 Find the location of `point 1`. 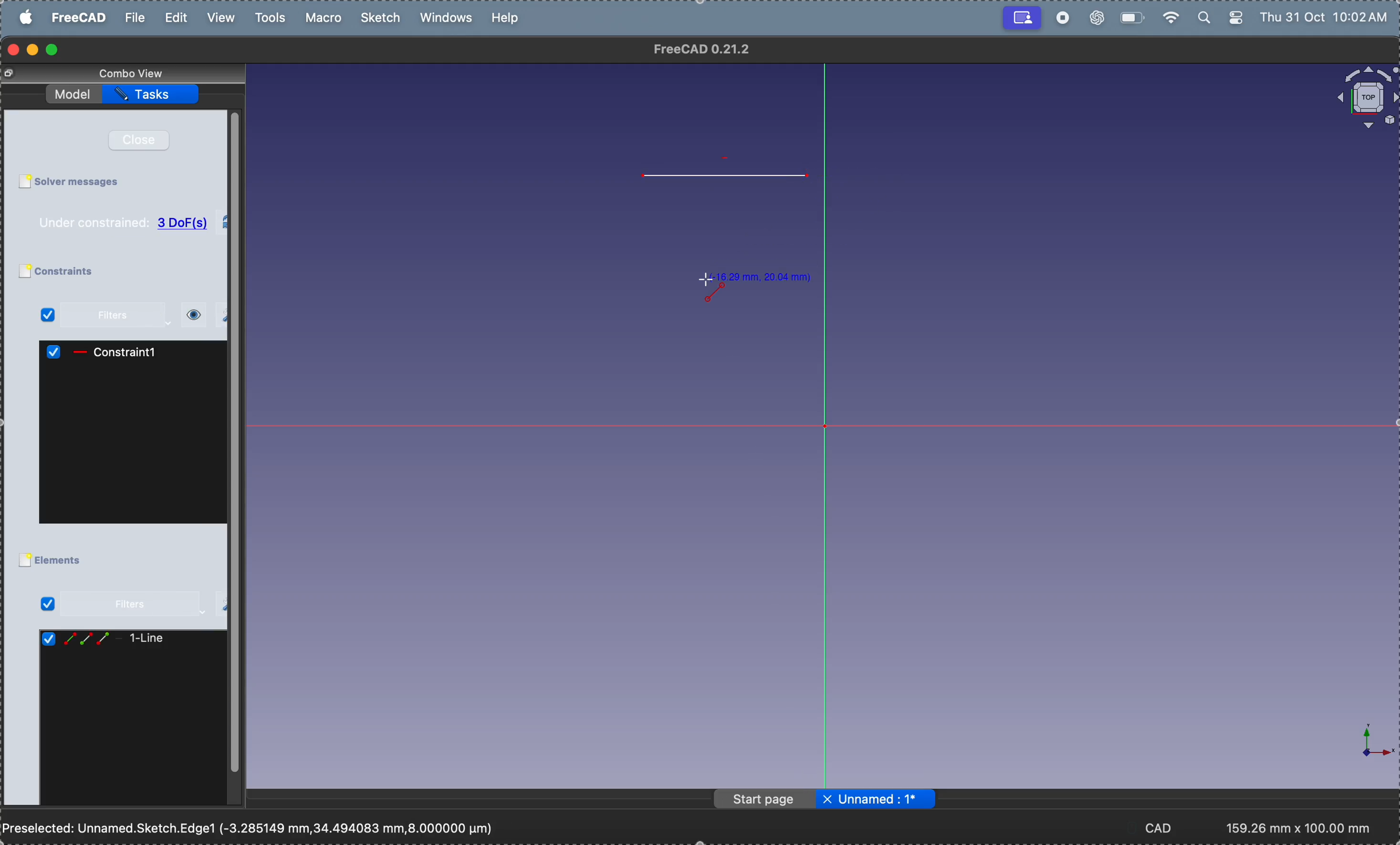

point 1 is located at coordinates (640, 177).